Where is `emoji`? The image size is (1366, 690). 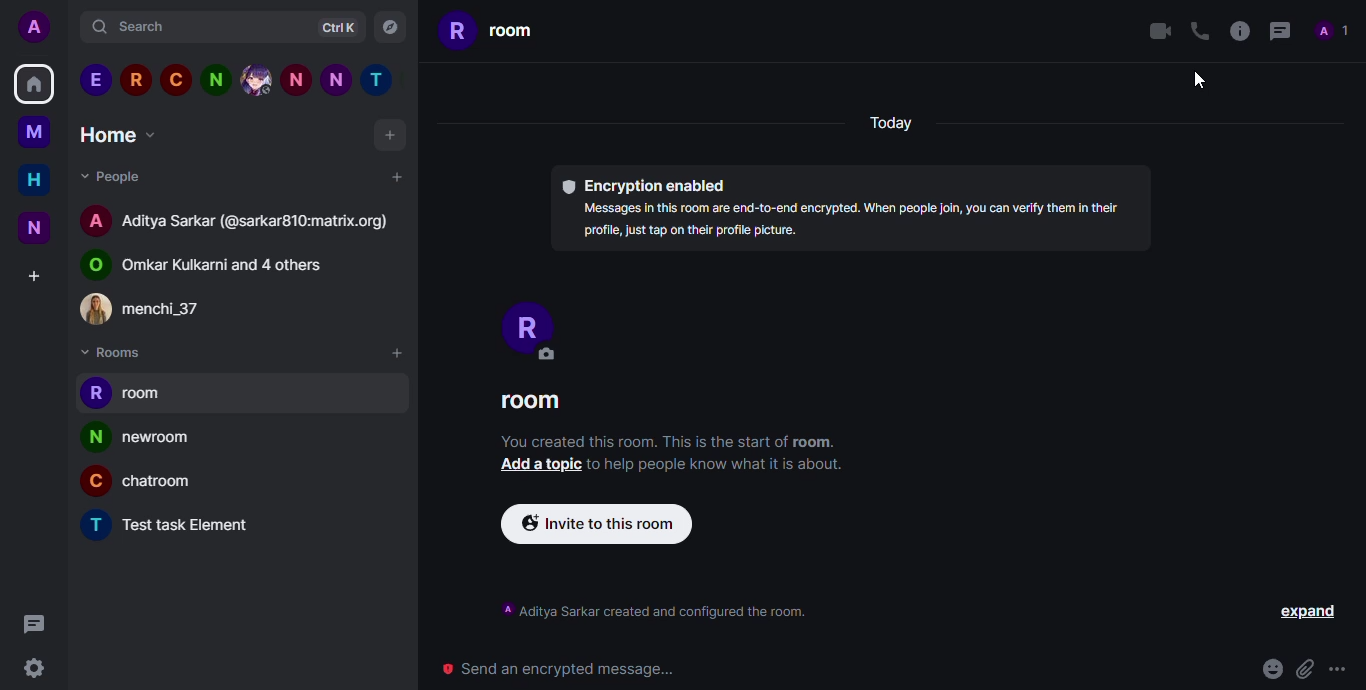 emoji is located at coordinates (1271, 664).